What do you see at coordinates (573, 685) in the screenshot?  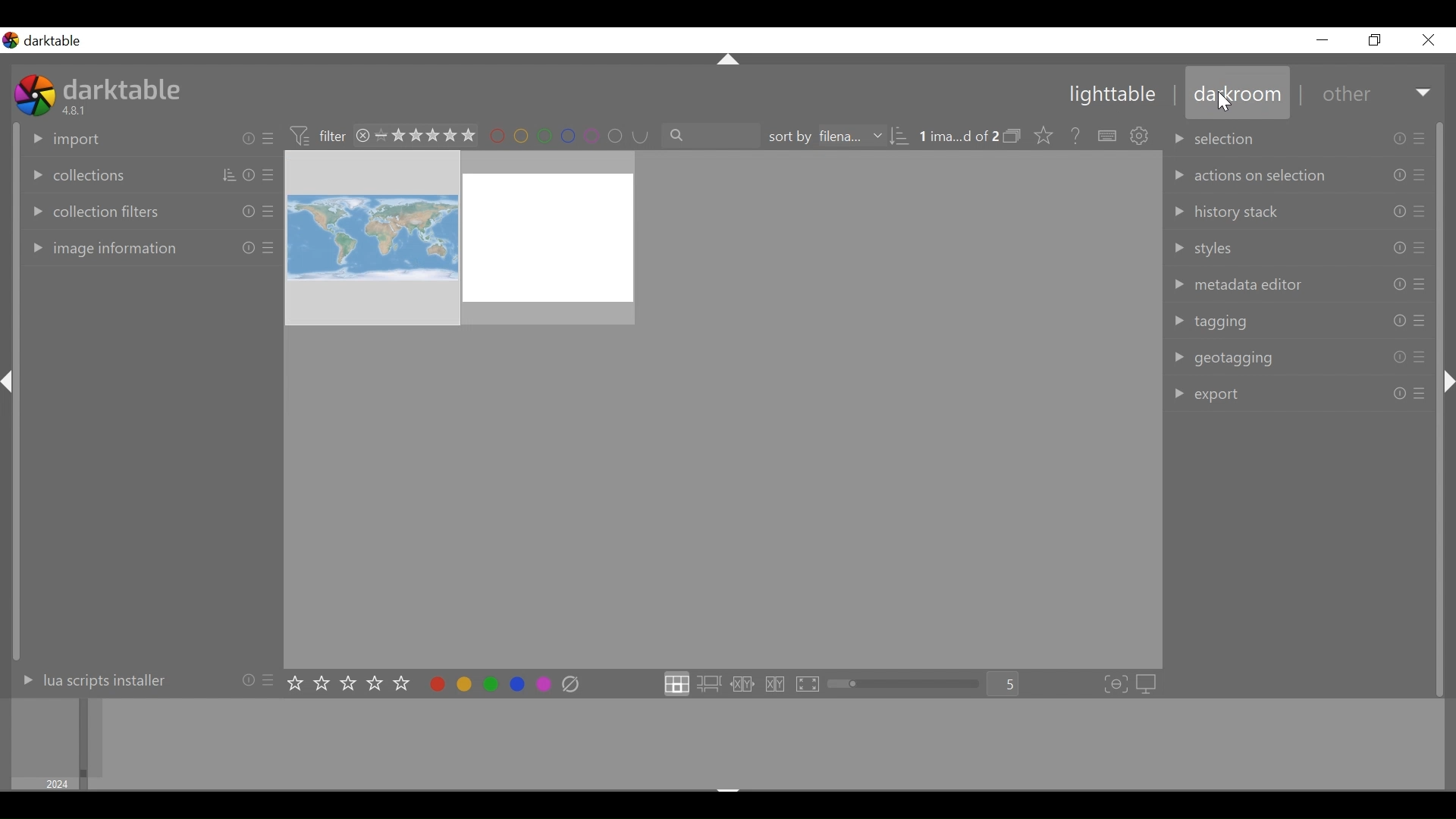 I see `clear color label` at bounding box center [573, 685].